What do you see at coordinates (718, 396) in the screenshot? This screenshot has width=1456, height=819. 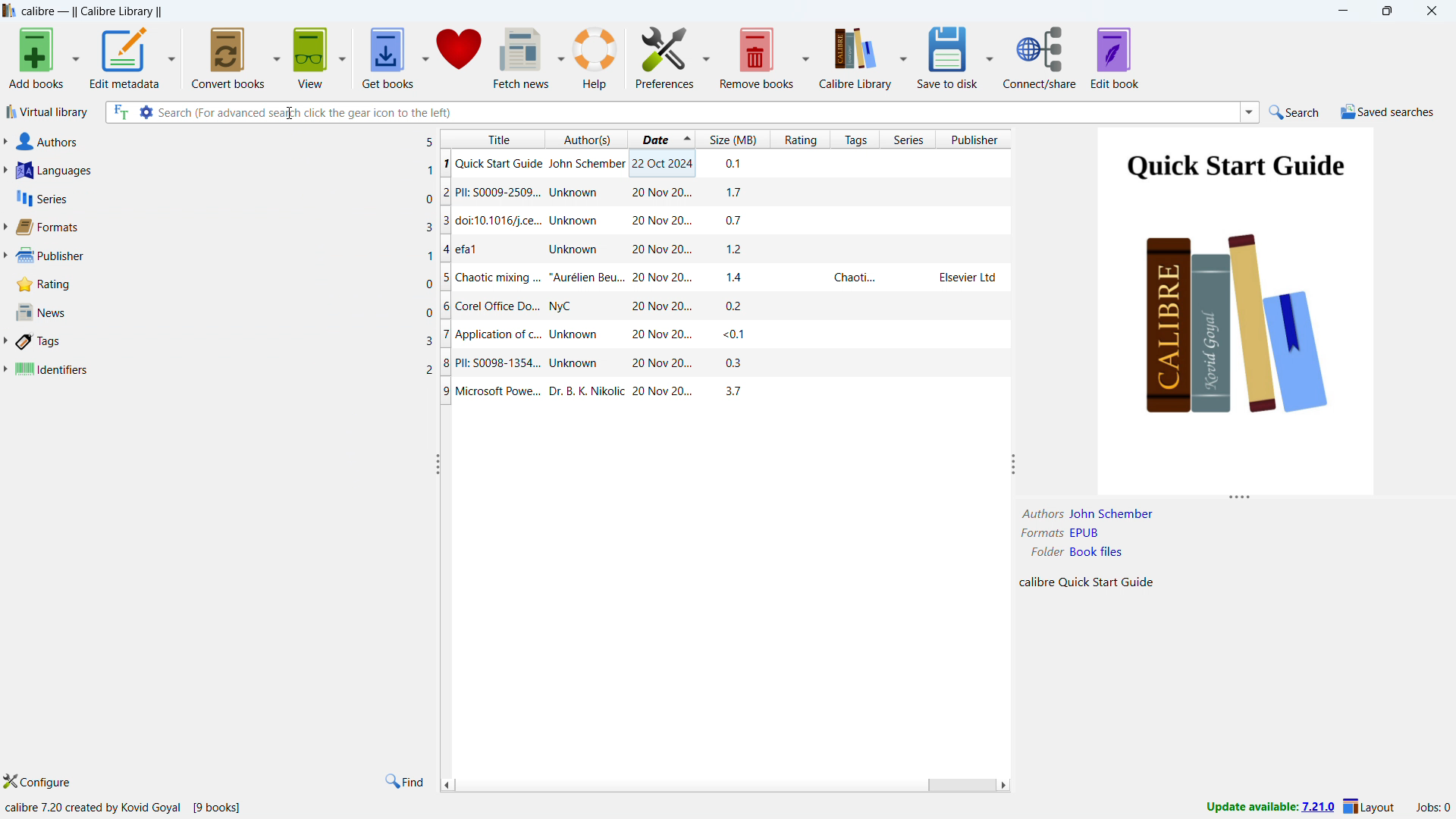 I see `Microsoft Power...` at bounding box center [718, 396].